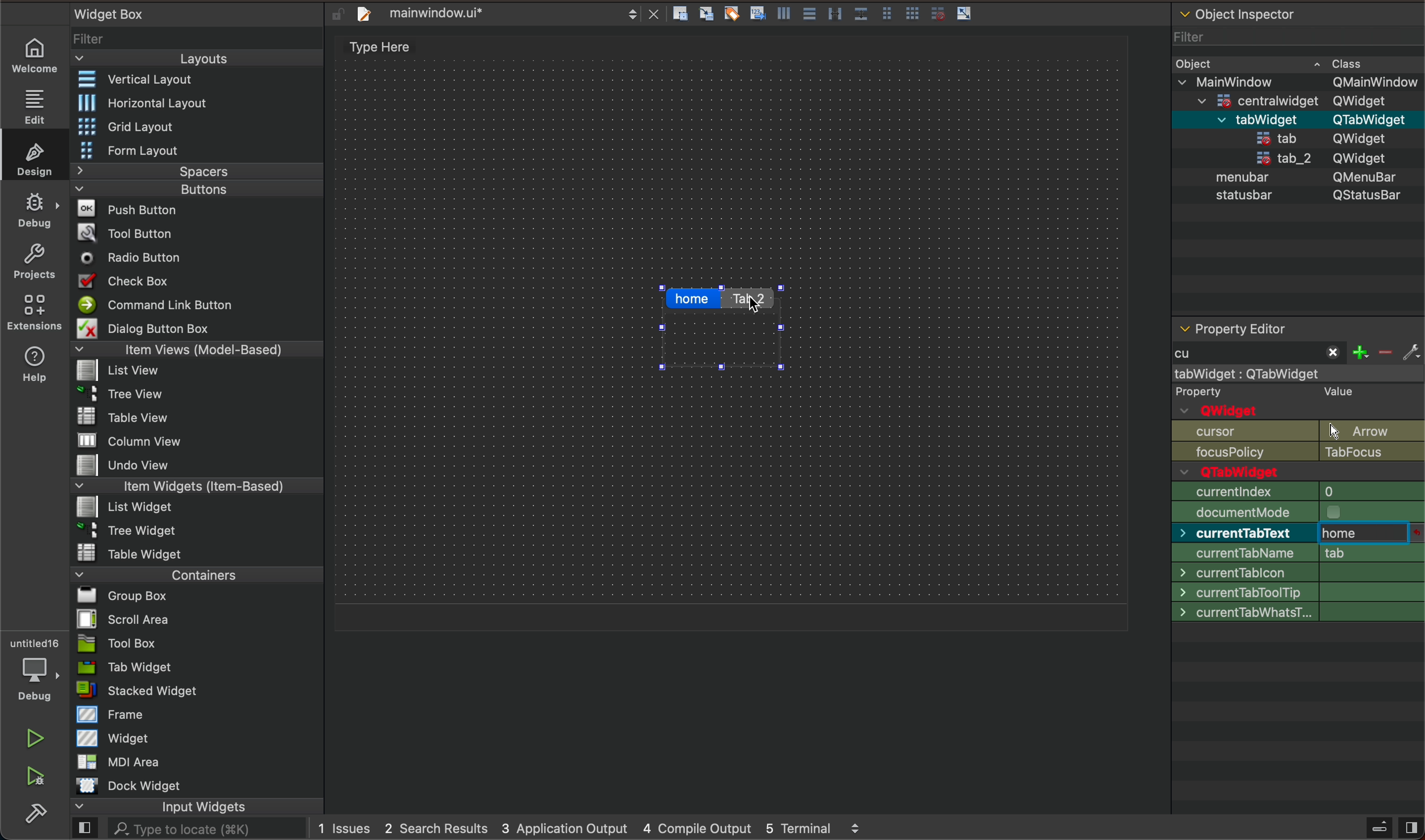 The height and width of the screenshot is (840, 1425). Describe the element at coordinates (120, 126) in the screenshot. I see ` Grid Layout` at that location.